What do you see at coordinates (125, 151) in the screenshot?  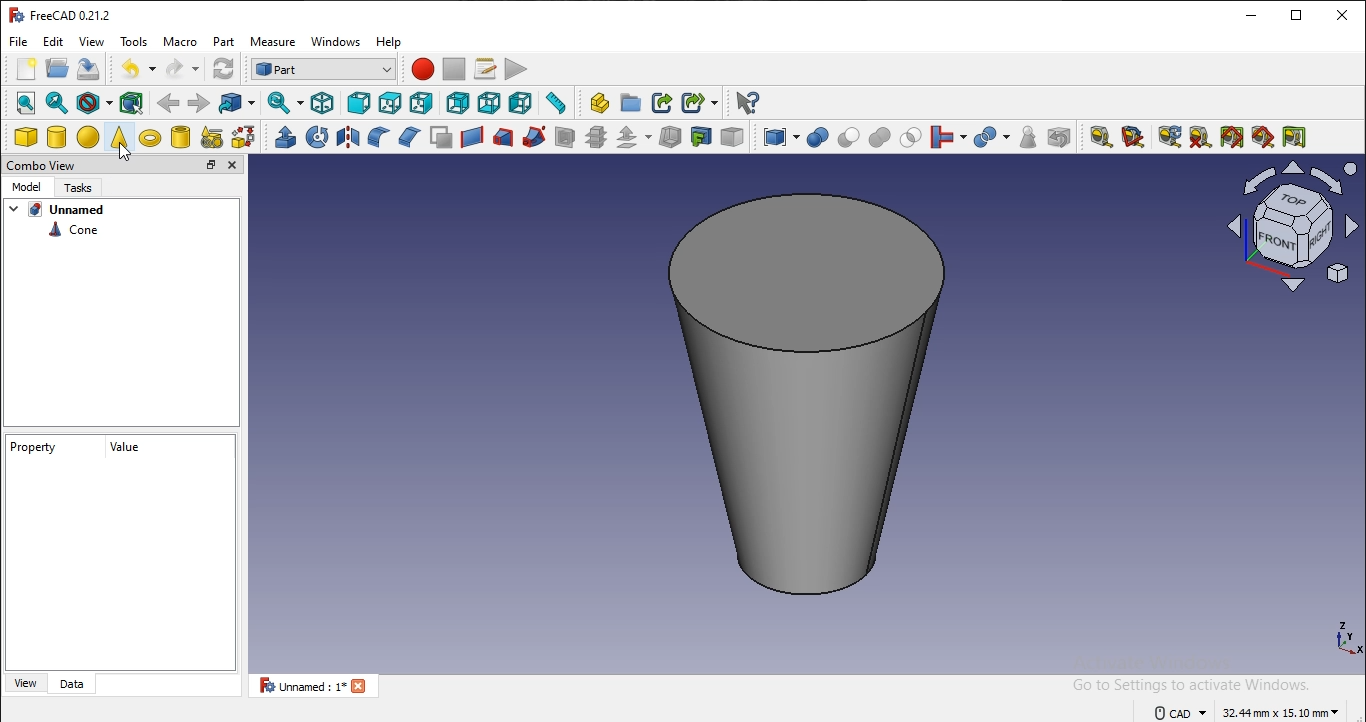 I see `cursor` at bounding box center [125, 151].